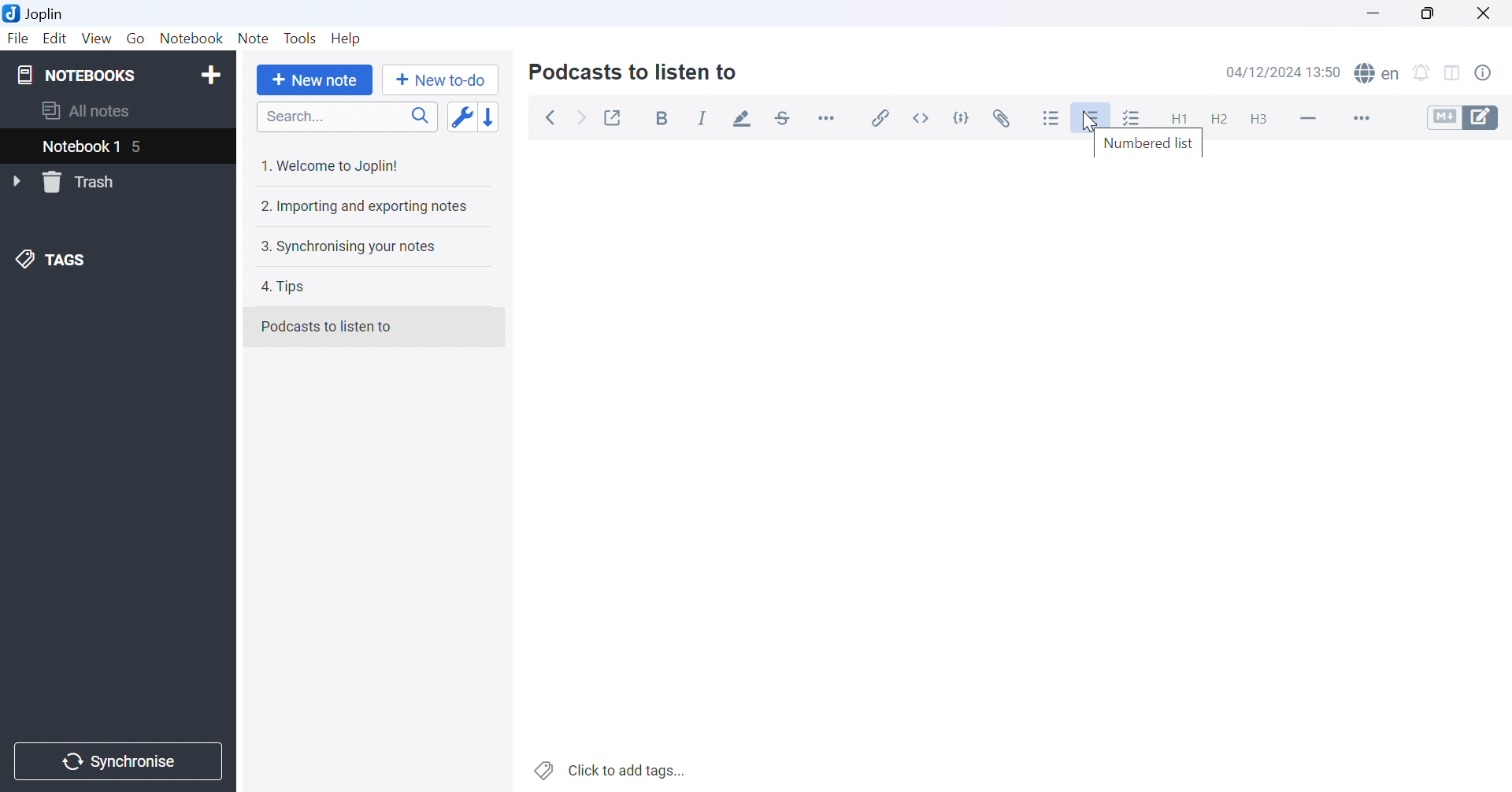  I want to click on Heading 2, so click(1218, 117).